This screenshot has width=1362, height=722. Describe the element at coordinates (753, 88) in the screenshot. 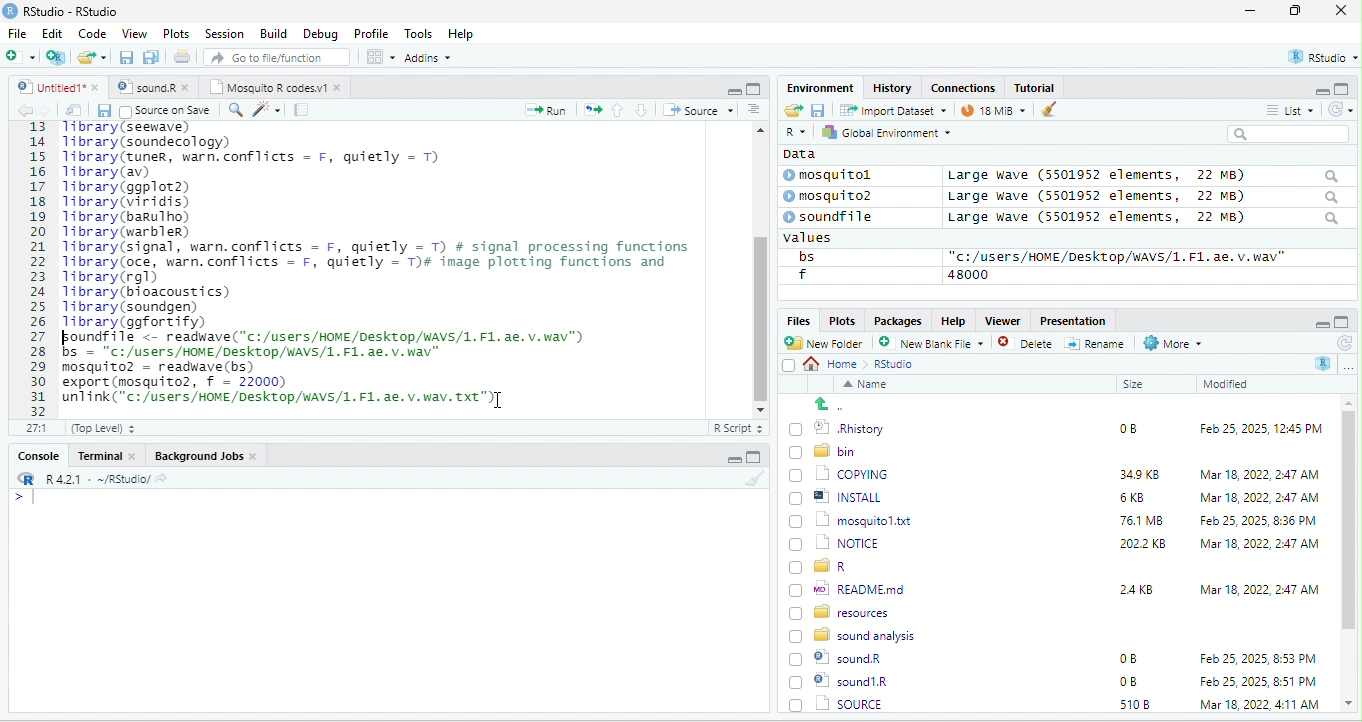

I see `maximize` at that location.